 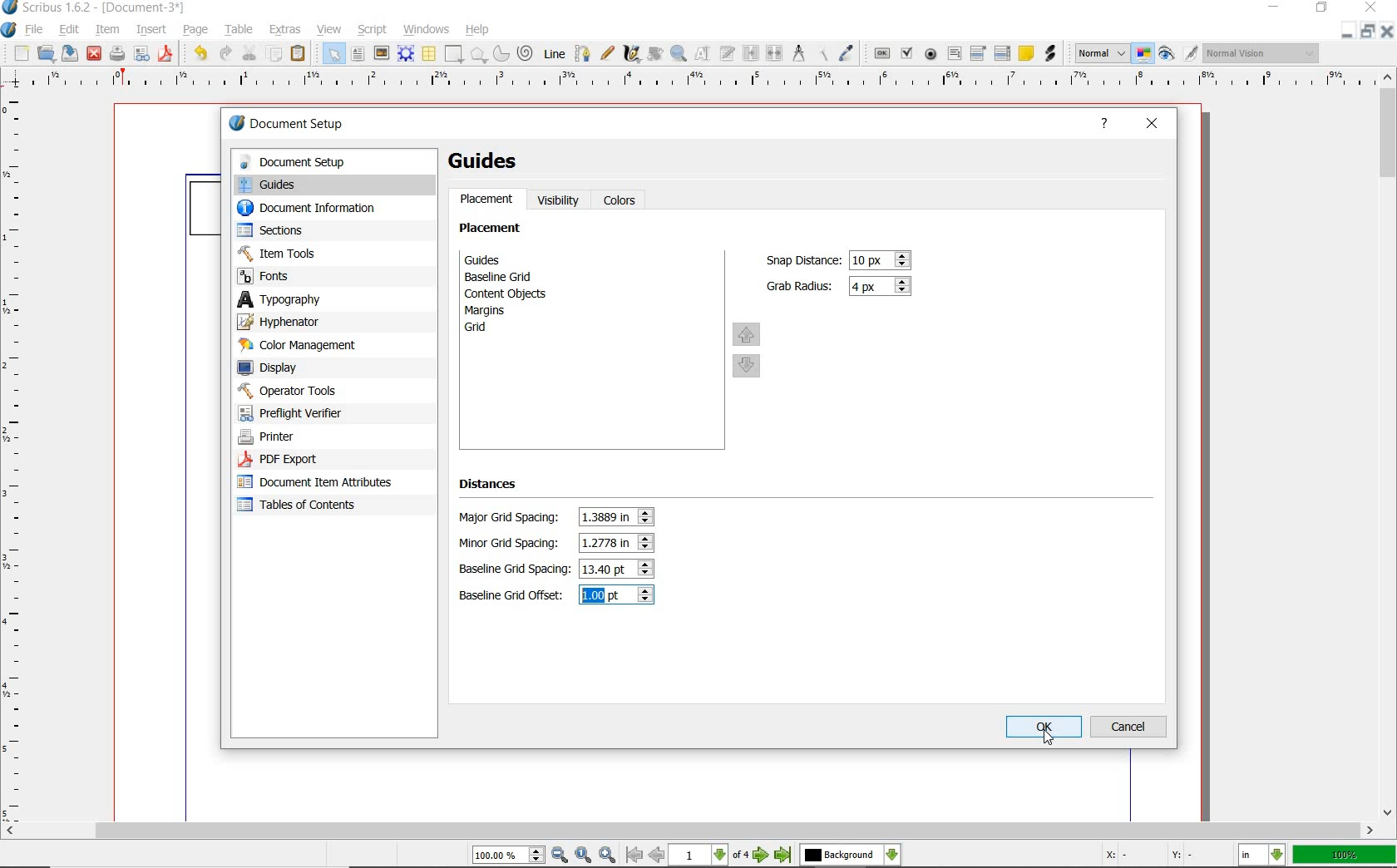 I want to click on open, so click(x=46, y=53).